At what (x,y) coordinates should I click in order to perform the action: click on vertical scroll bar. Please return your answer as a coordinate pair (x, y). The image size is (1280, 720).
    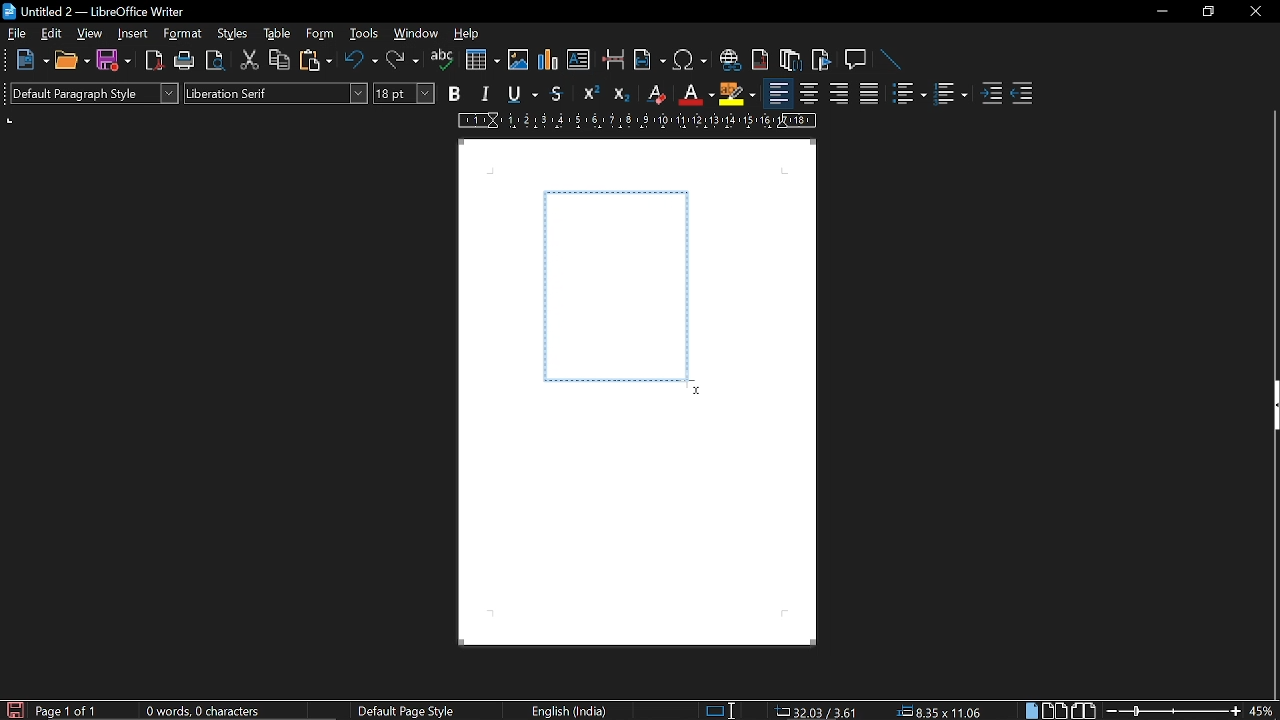
    Looking at the image, I should click on (1272, 567).